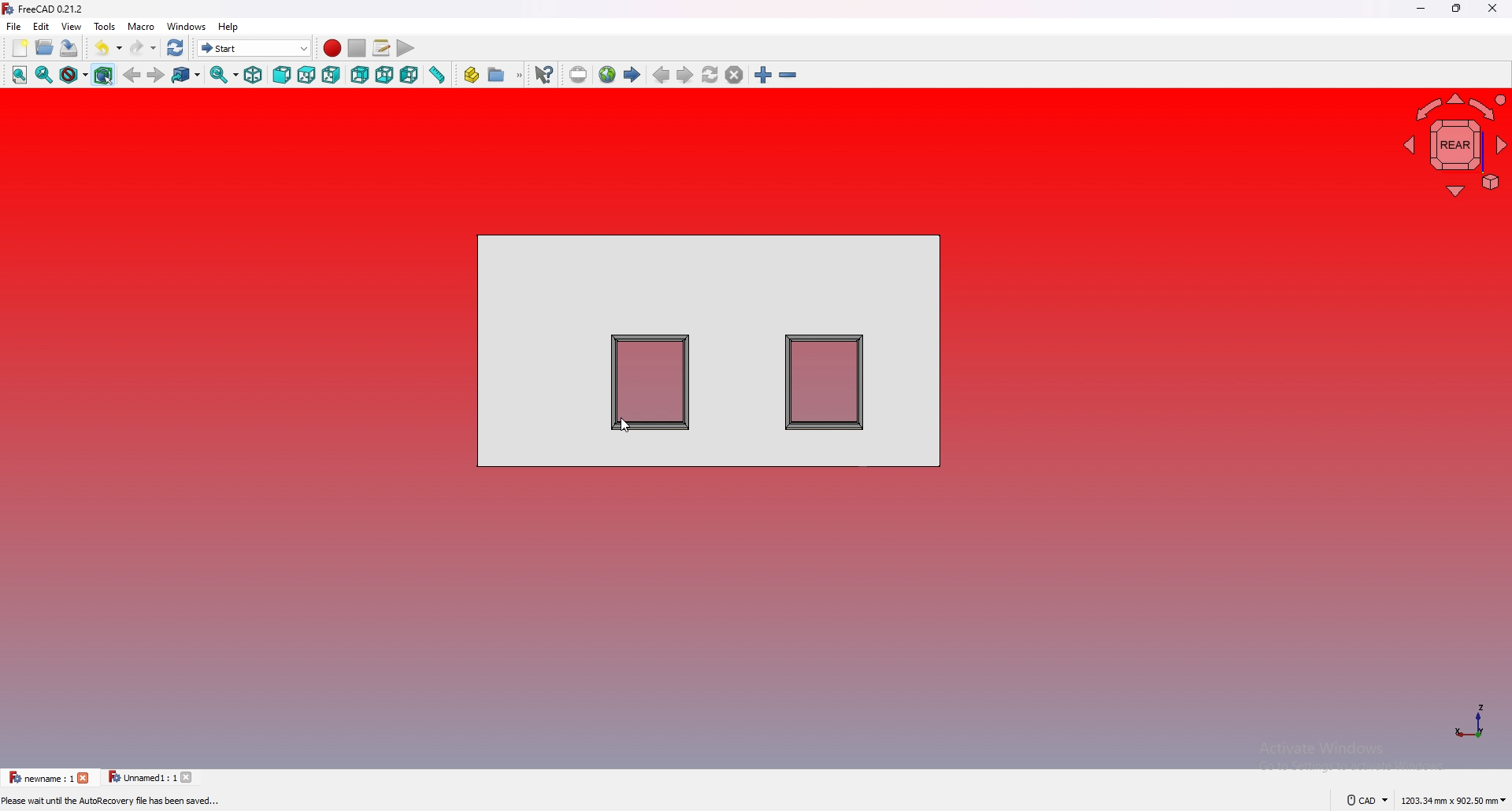 The image size is (1512, 811). Describe the element at coordinates (72, 26) in the screenshot. I see `view` at that location.